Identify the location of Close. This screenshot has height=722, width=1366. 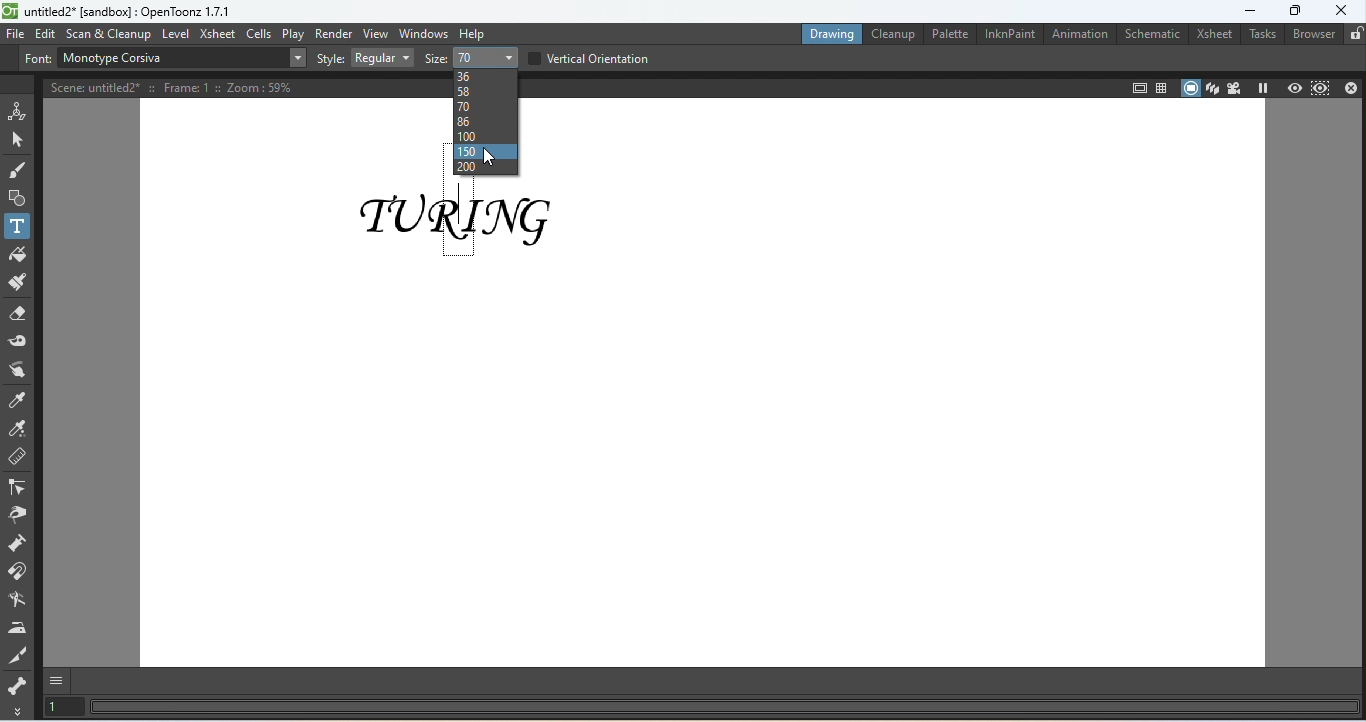
(1343, 11).